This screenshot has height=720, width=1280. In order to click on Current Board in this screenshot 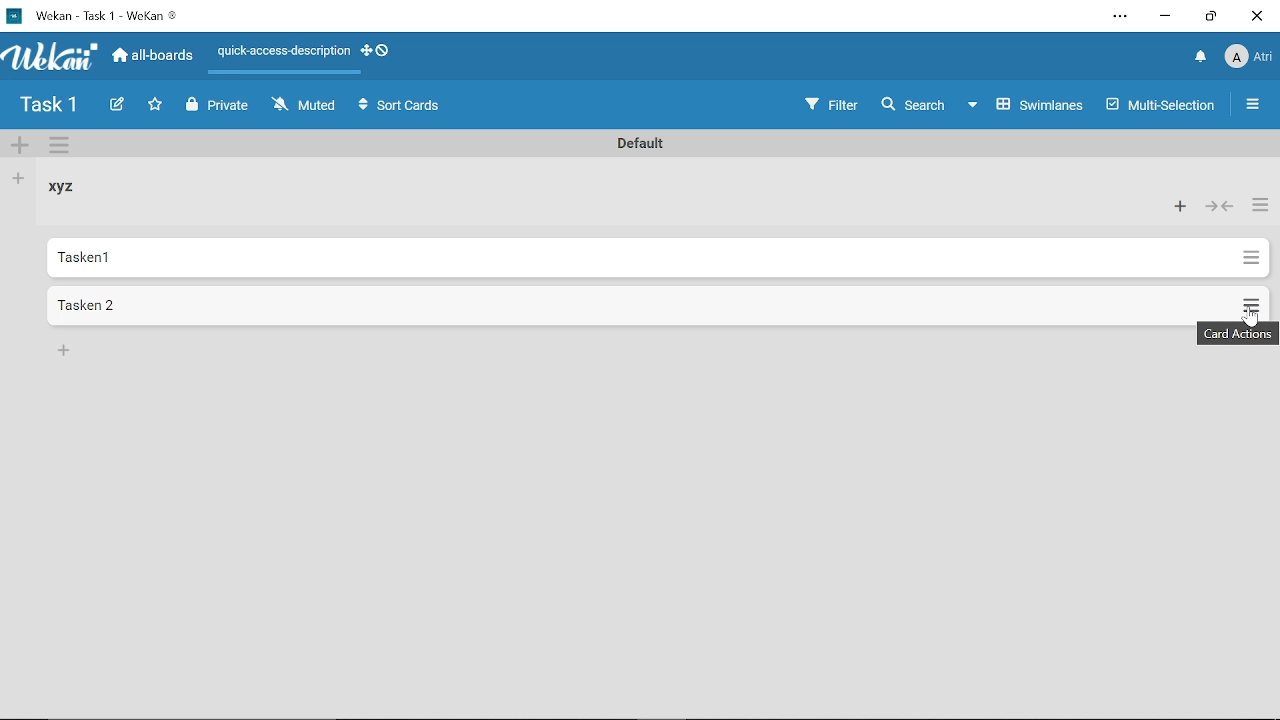, I will do `click(50, 107)`.